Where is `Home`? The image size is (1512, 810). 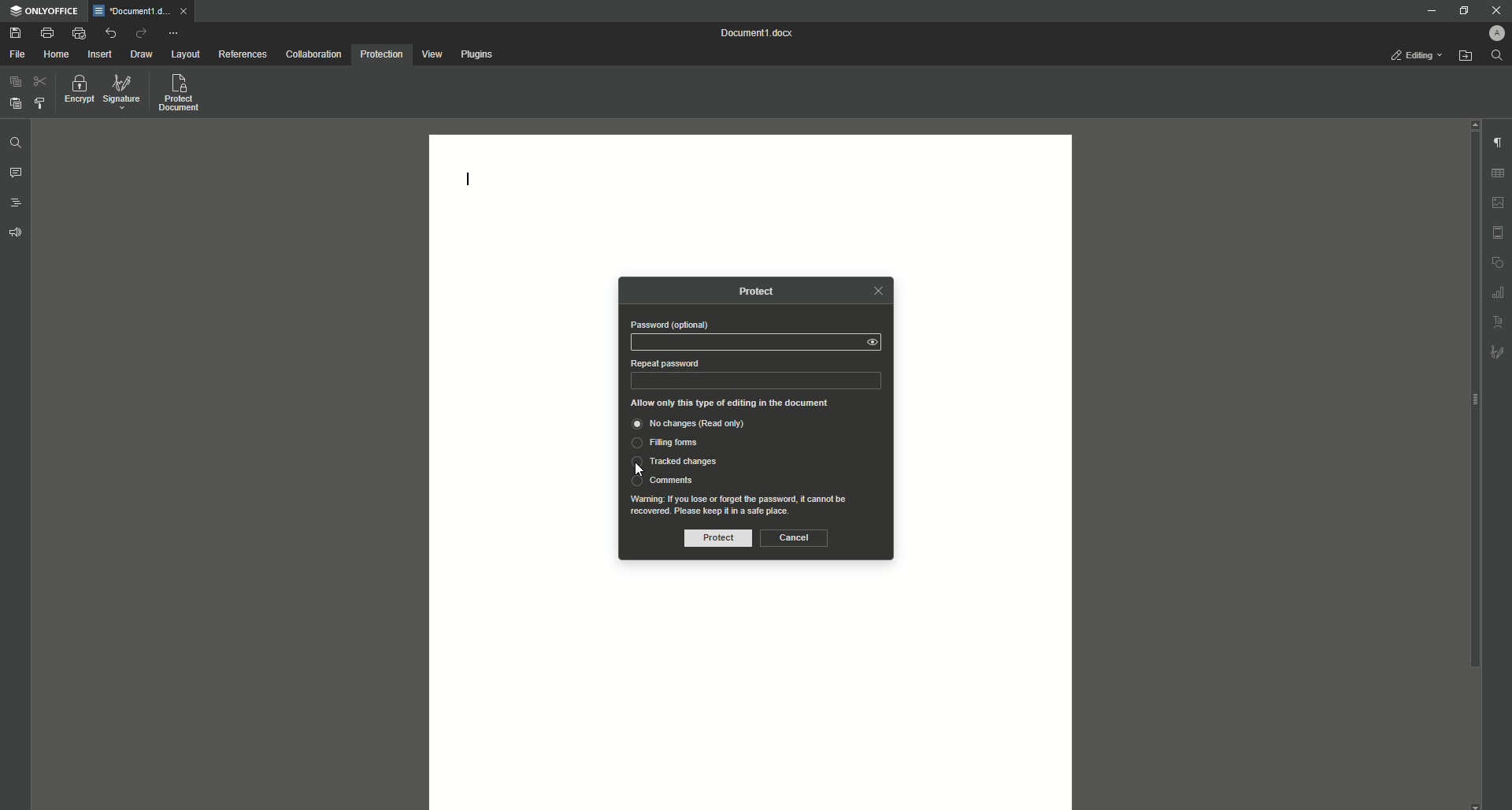
Home is located at coordinates (56, 55).